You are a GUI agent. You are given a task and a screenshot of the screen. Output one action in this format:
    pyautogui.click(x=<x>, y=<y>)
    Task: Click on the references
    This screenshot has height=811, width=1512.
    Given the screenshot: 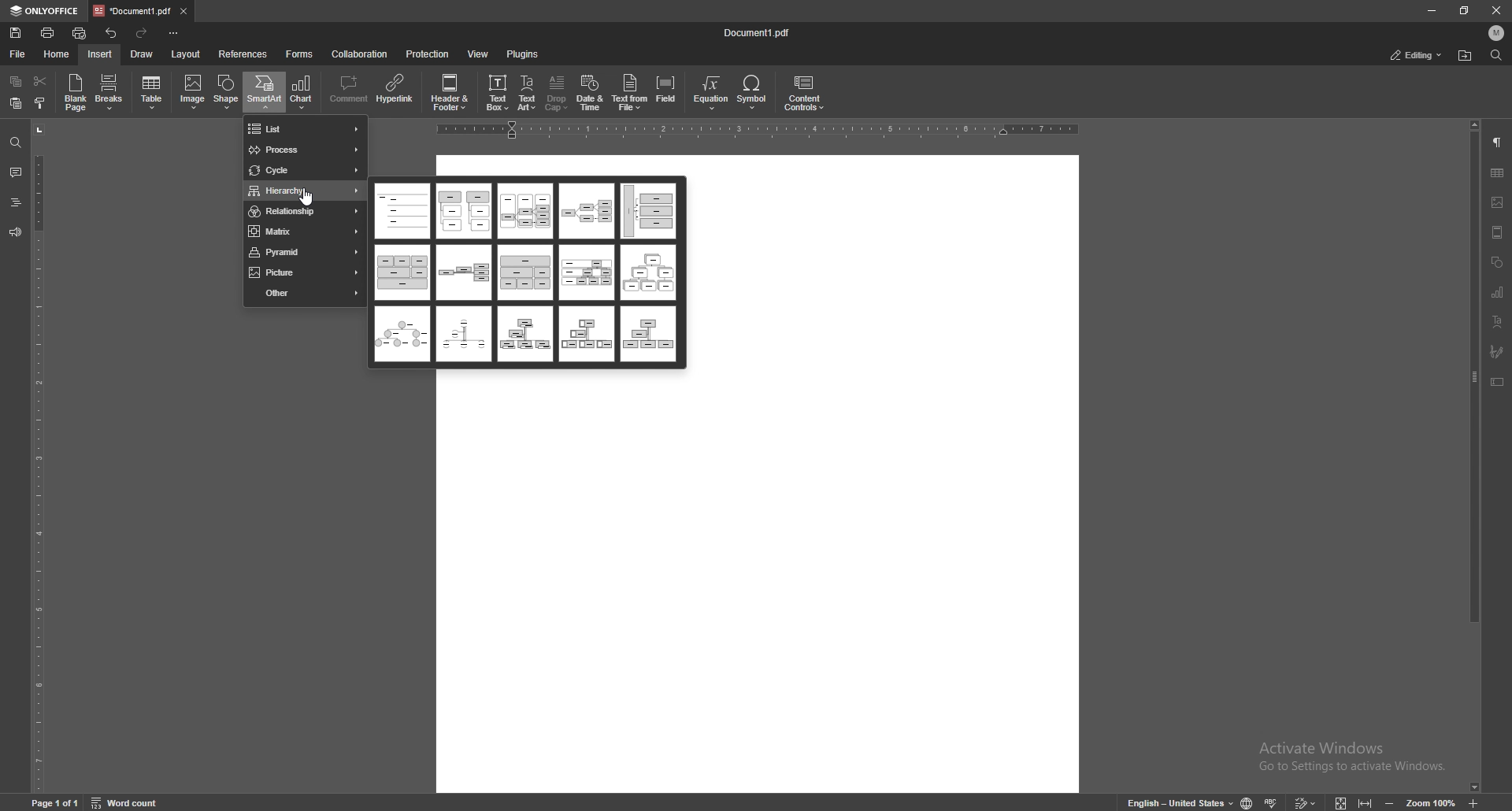 What is the action you would take?
    pyautogui.click(x=243, y=54)
    